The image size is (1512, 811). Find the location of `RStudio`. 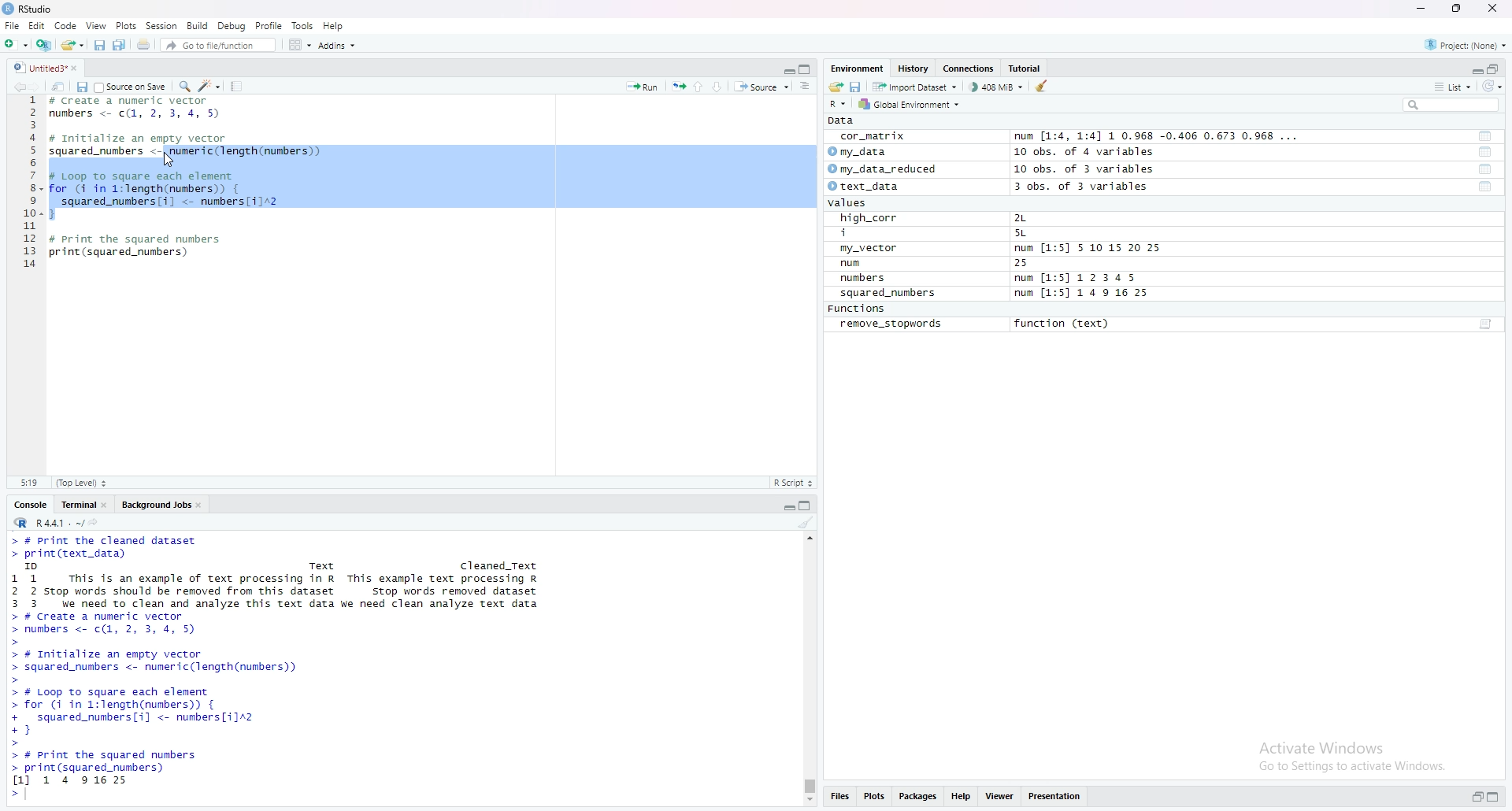

RStudio is located at coordinates (30, 9).